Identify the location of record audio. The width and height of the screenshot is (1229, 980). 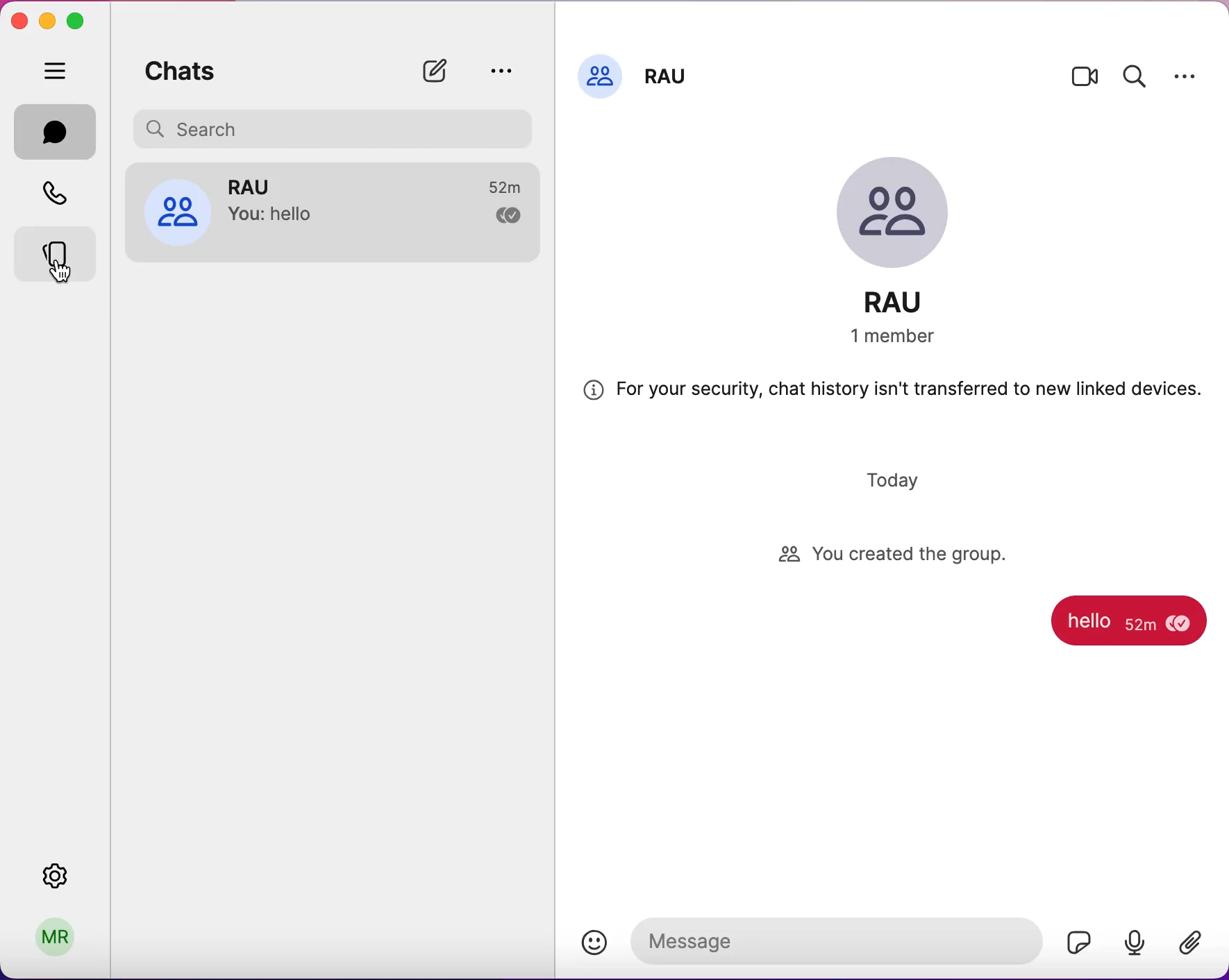
(1138, 943).